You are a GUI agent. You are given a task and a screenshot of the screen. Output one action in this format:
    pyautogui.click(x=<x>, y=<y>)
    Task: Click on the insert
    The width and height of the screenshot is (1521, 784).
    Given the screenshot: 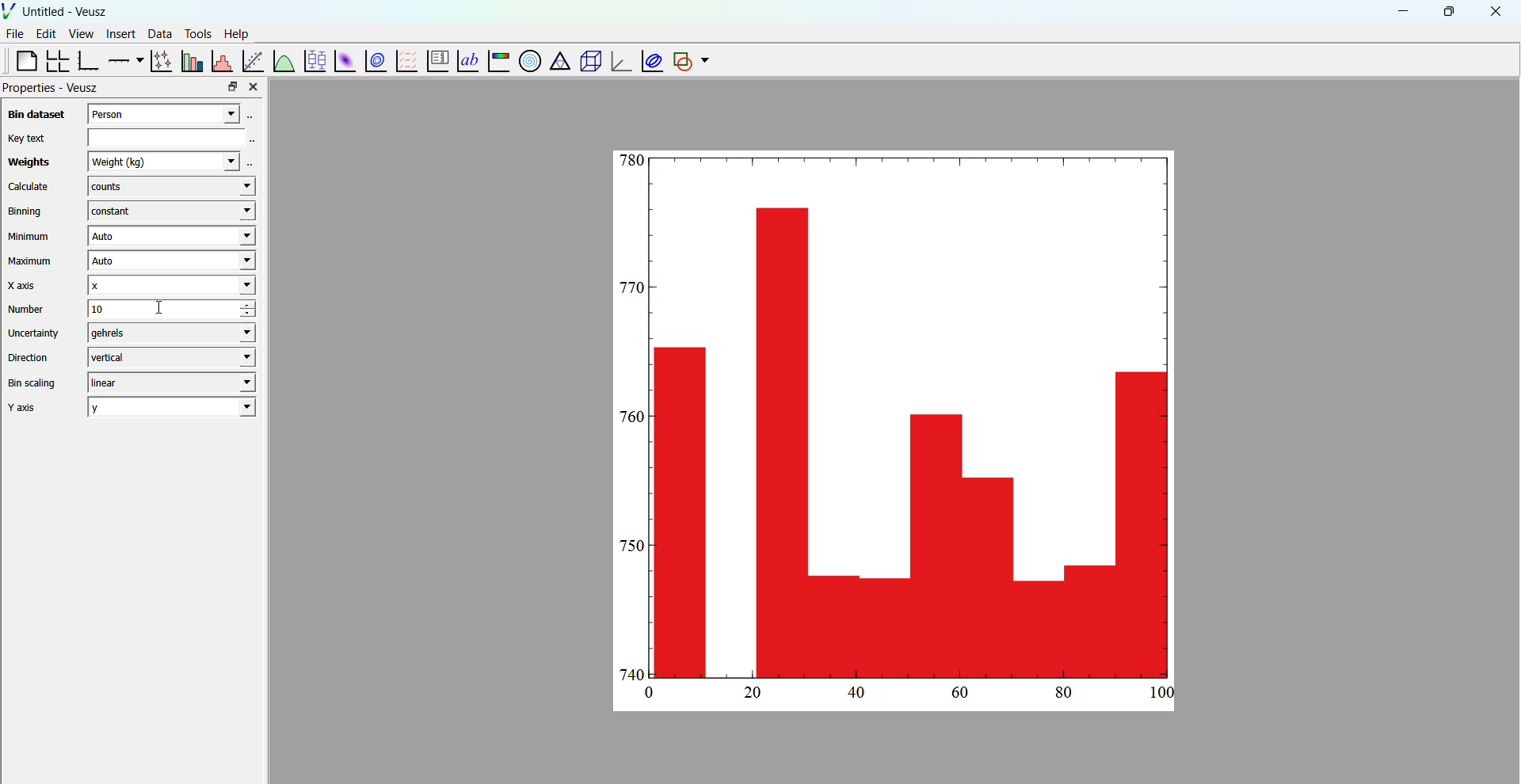 What is the action you would take?
    pyautogui.click(x=118, y=32)
    